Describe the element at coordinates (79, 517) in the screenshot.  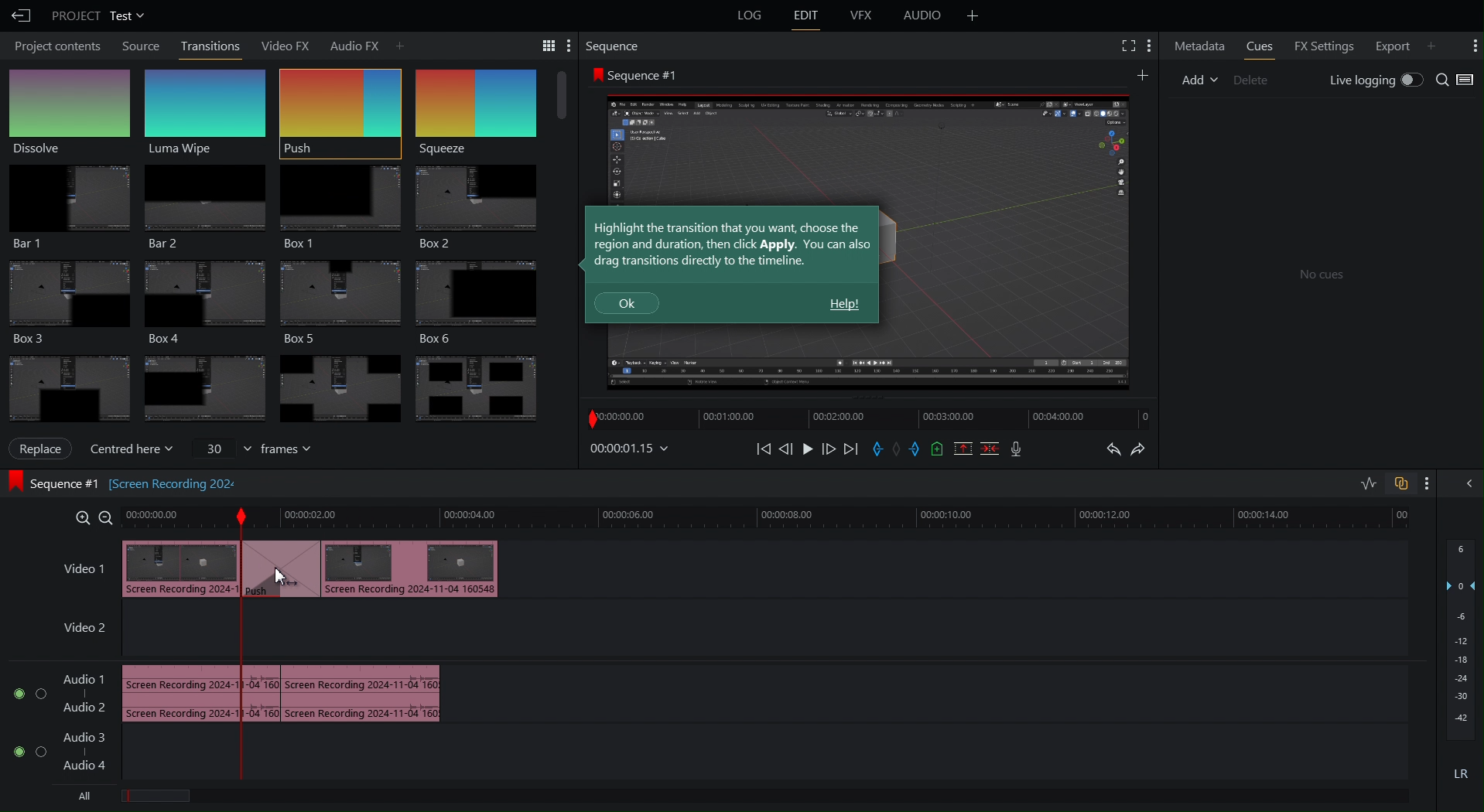
I see `Zoom in` at that location.